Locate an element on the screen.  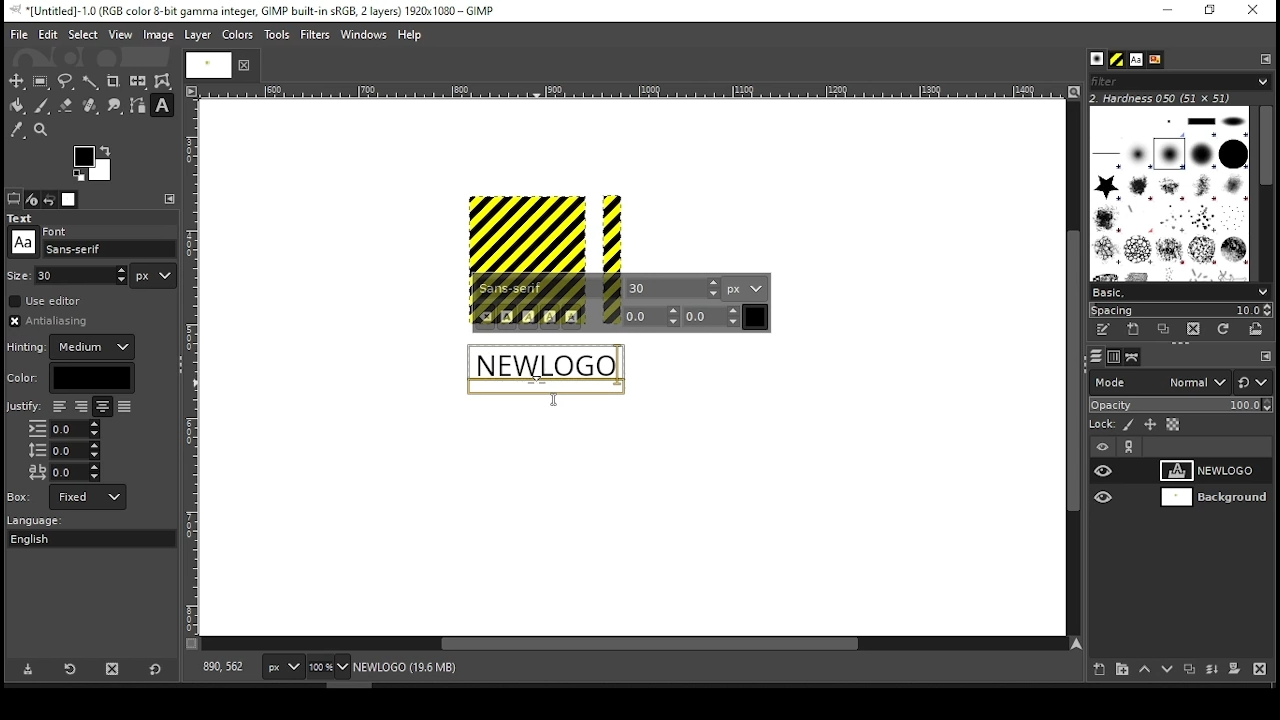
selection tool is located at coordinates (17, 81).